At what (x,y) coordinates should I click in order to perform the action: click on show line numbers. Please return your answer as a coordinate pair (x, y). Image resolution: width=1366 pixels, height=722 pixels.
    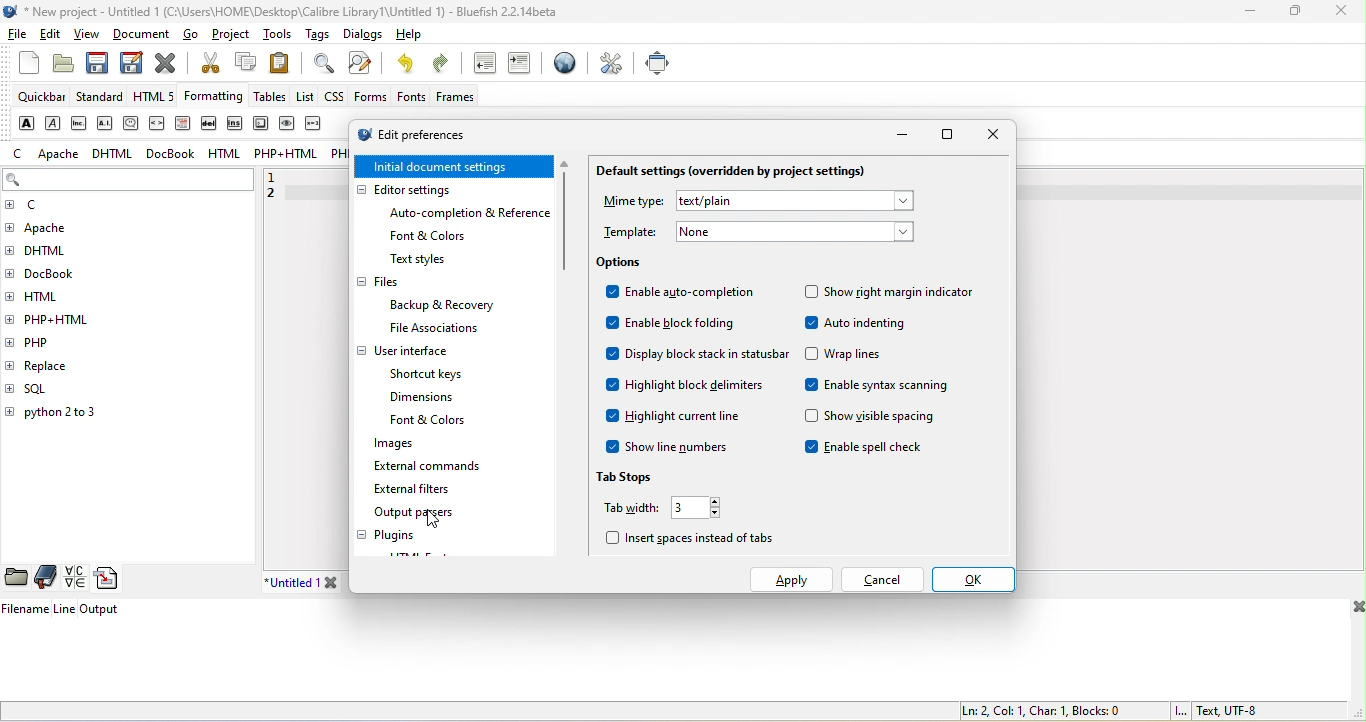
    Looking at the image, I should click on (676, 446).